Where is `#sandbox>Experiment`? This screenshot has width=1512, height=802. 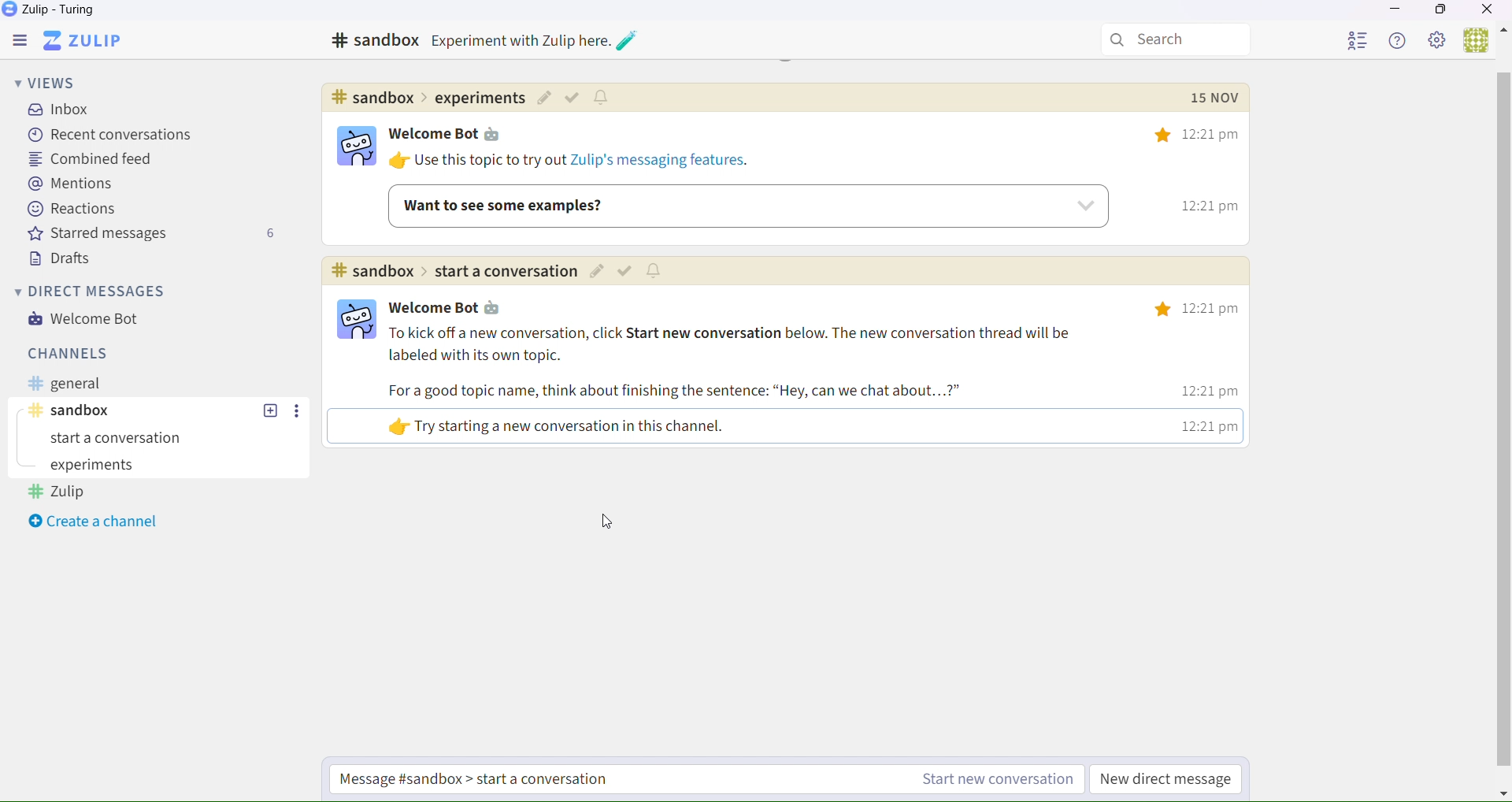
#sandbox>Experiment is located at coordinates (451, 272).